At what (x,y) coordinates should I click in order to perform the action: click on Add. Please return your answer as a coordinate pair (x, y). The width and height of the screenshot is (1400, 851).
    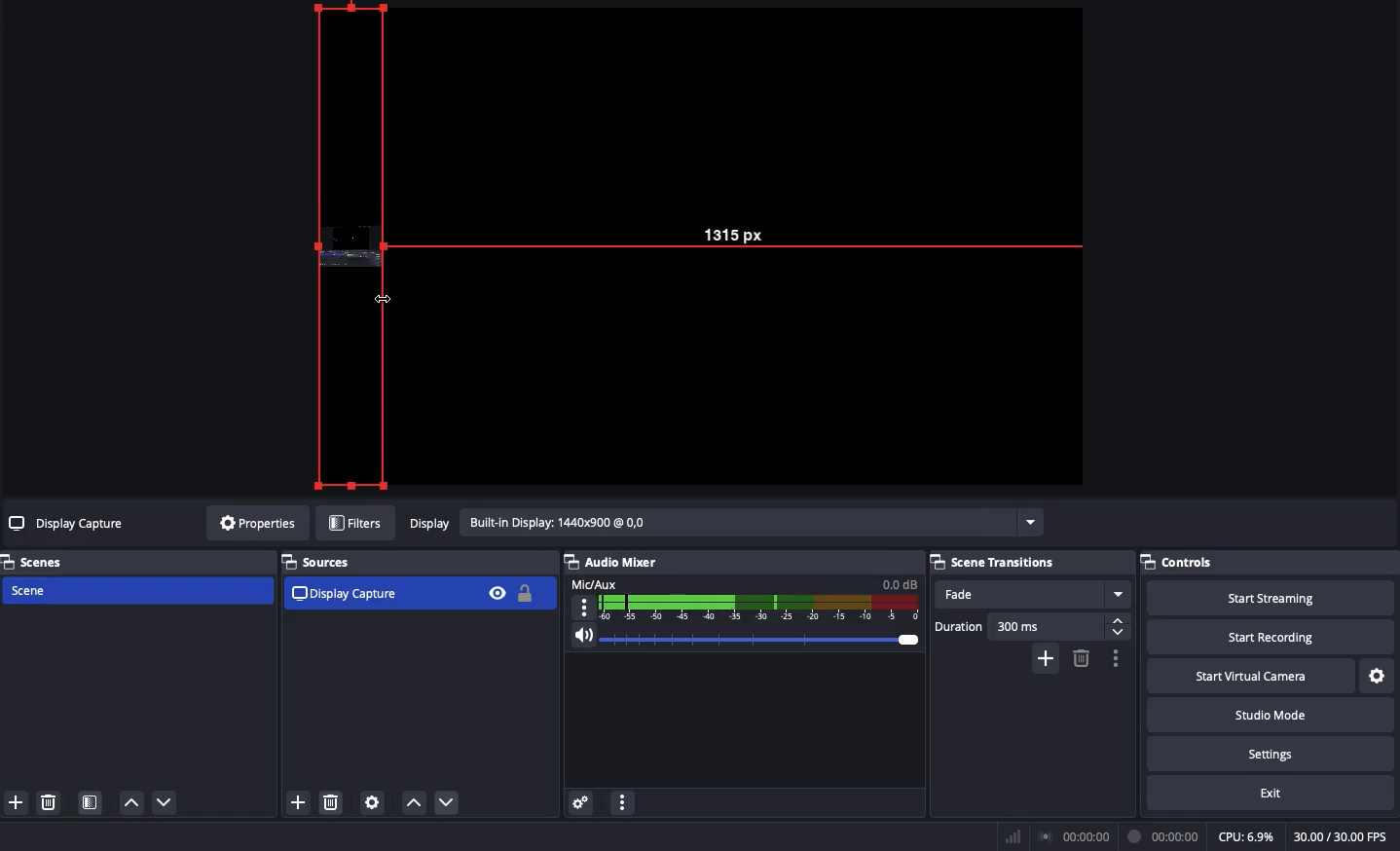
    Looking at the image, I should click on (1048, 657).